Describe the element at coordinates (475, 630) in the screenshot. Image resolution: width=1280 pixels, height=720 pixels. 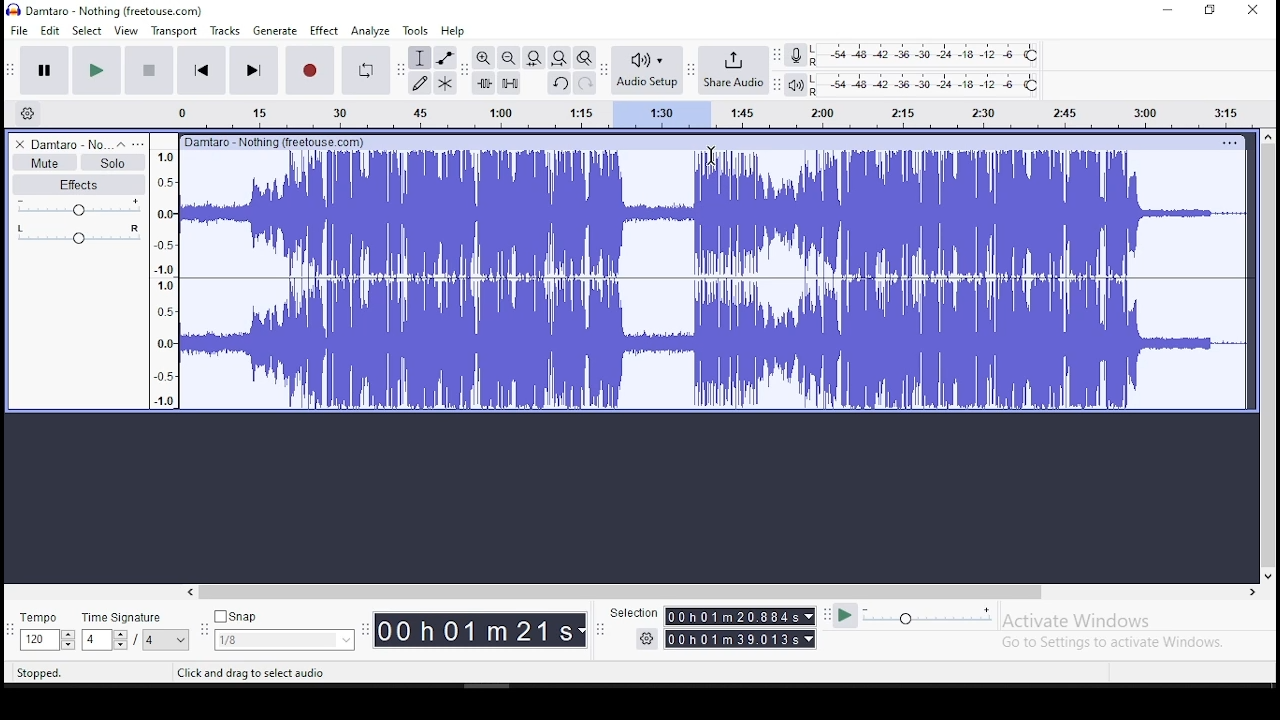
I see `0O0hO01m21s` at that location.